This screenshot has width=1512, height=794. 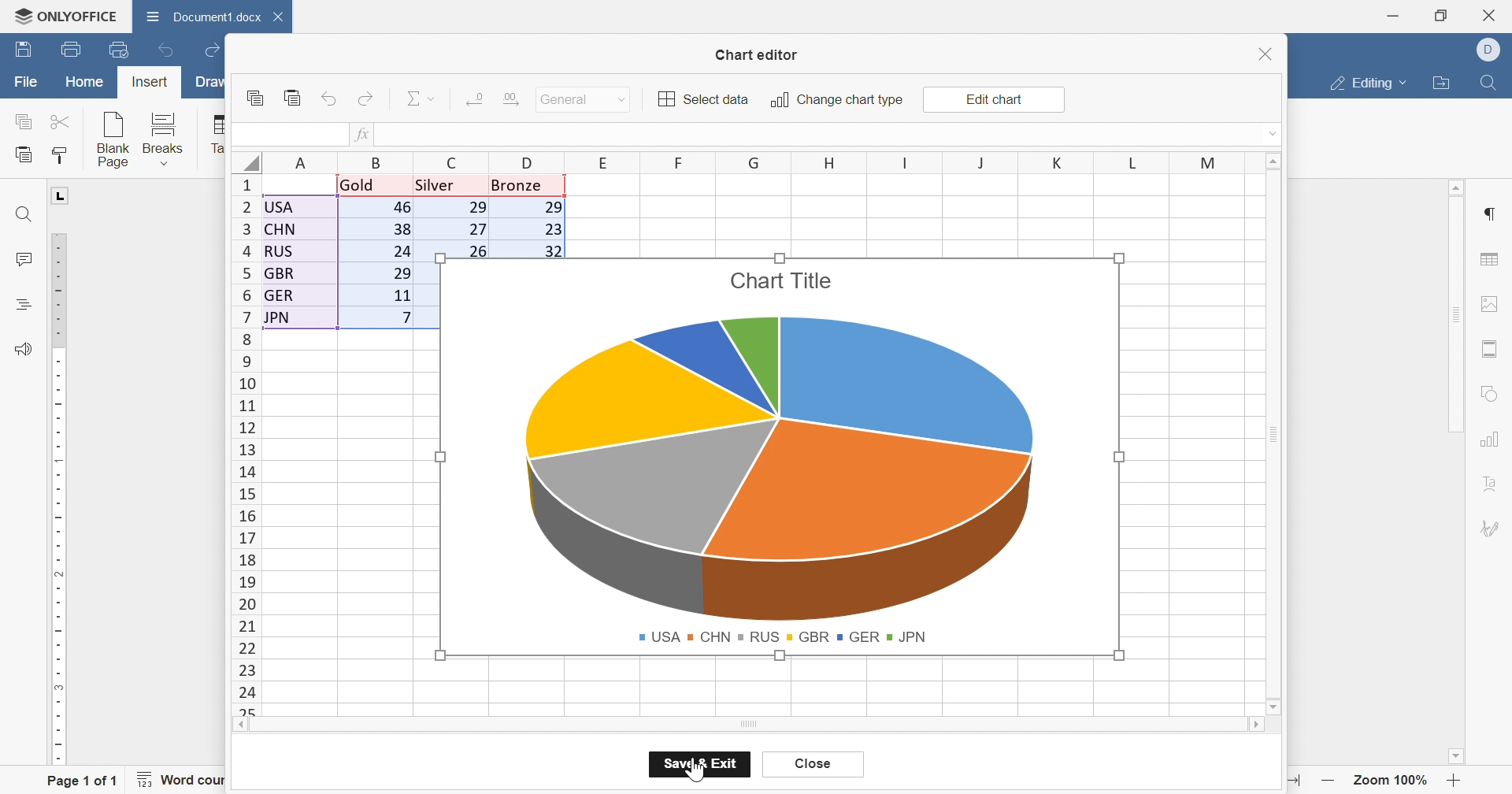 I want to click on 11, so click(x=401, y=296).